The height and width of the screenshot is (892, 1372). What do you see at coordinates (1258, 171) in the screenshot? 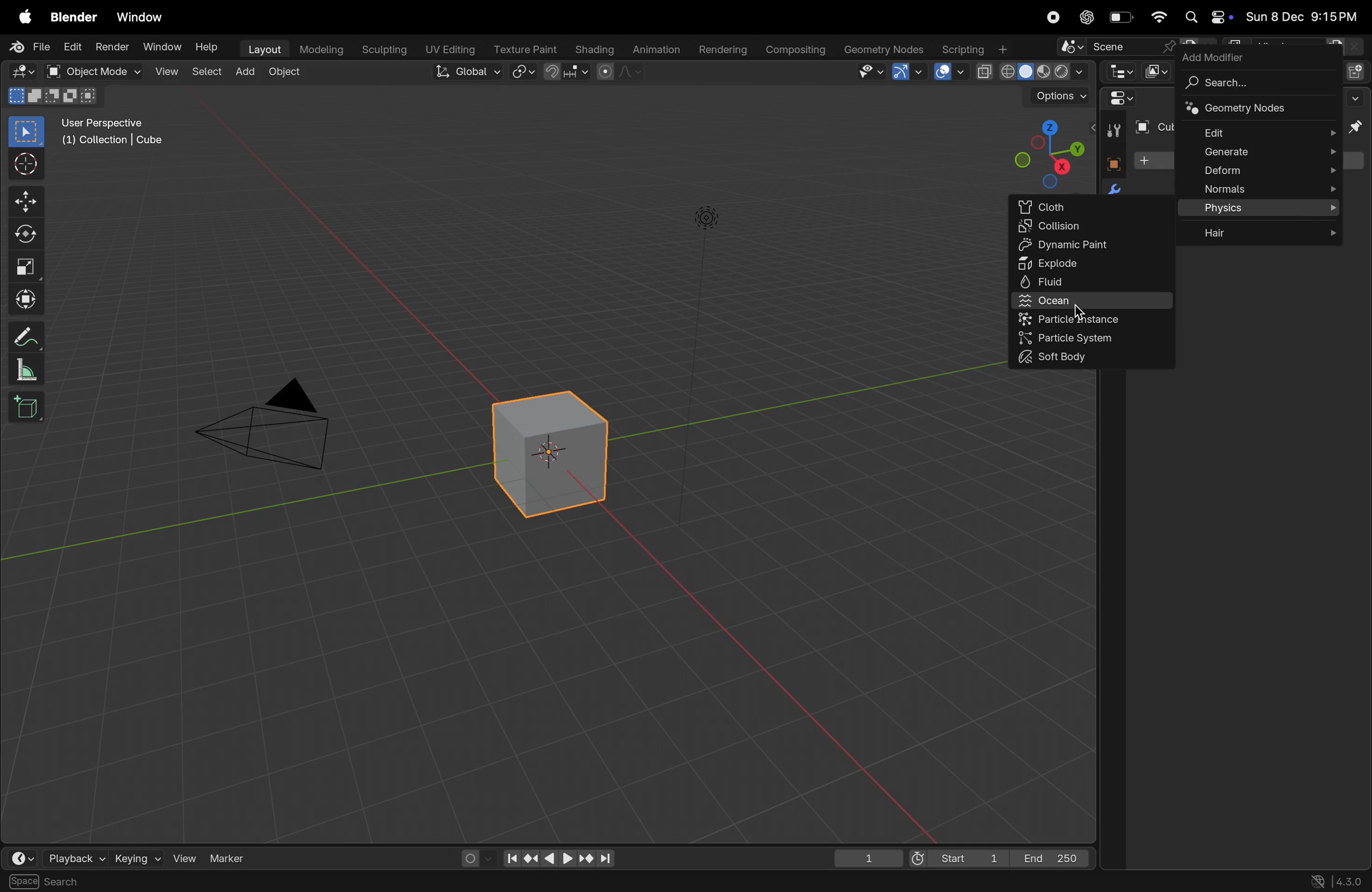
I see `Deform` at bounding box center [1258, 171].